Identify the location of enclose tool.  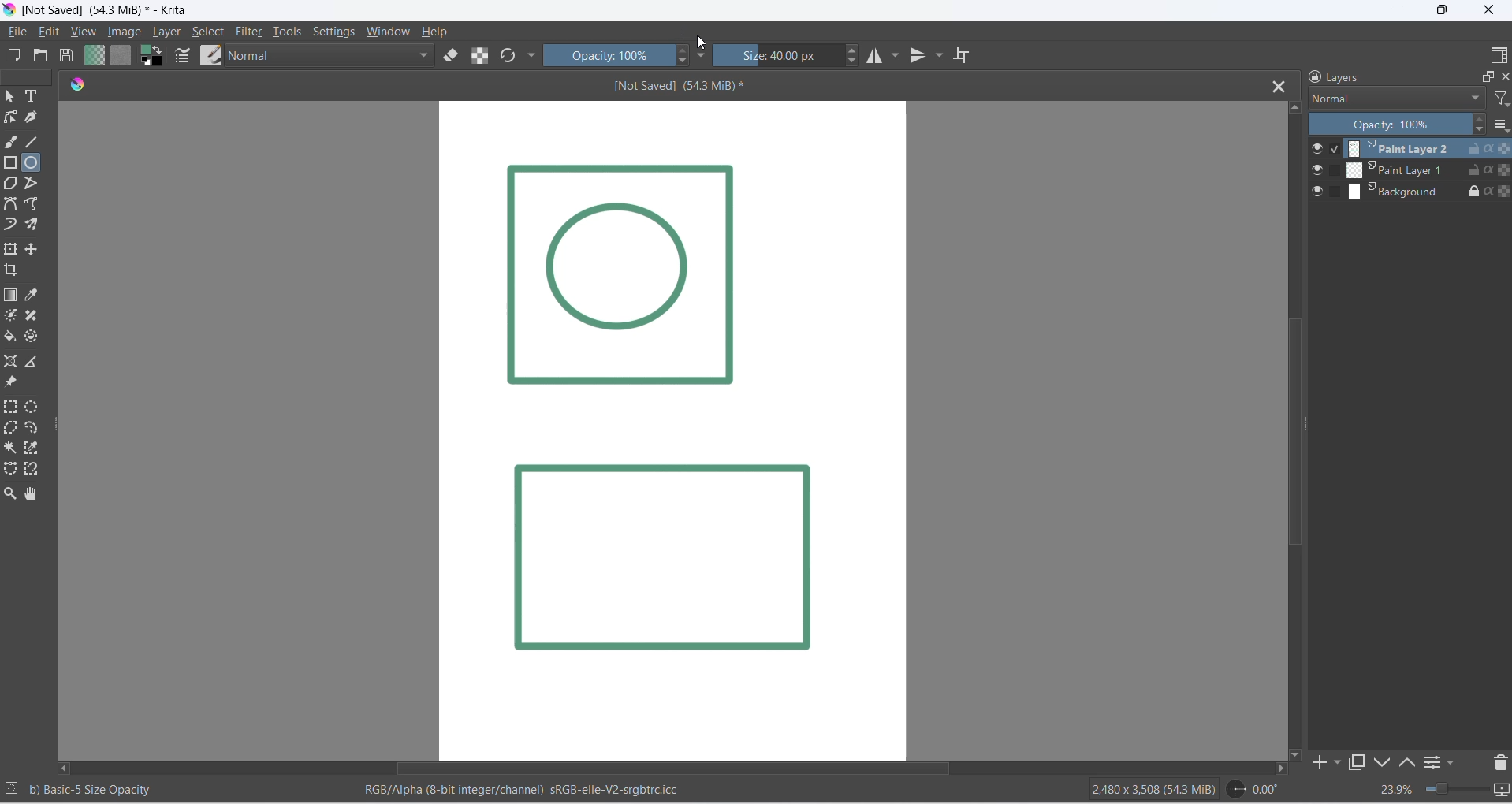
(35, 337).